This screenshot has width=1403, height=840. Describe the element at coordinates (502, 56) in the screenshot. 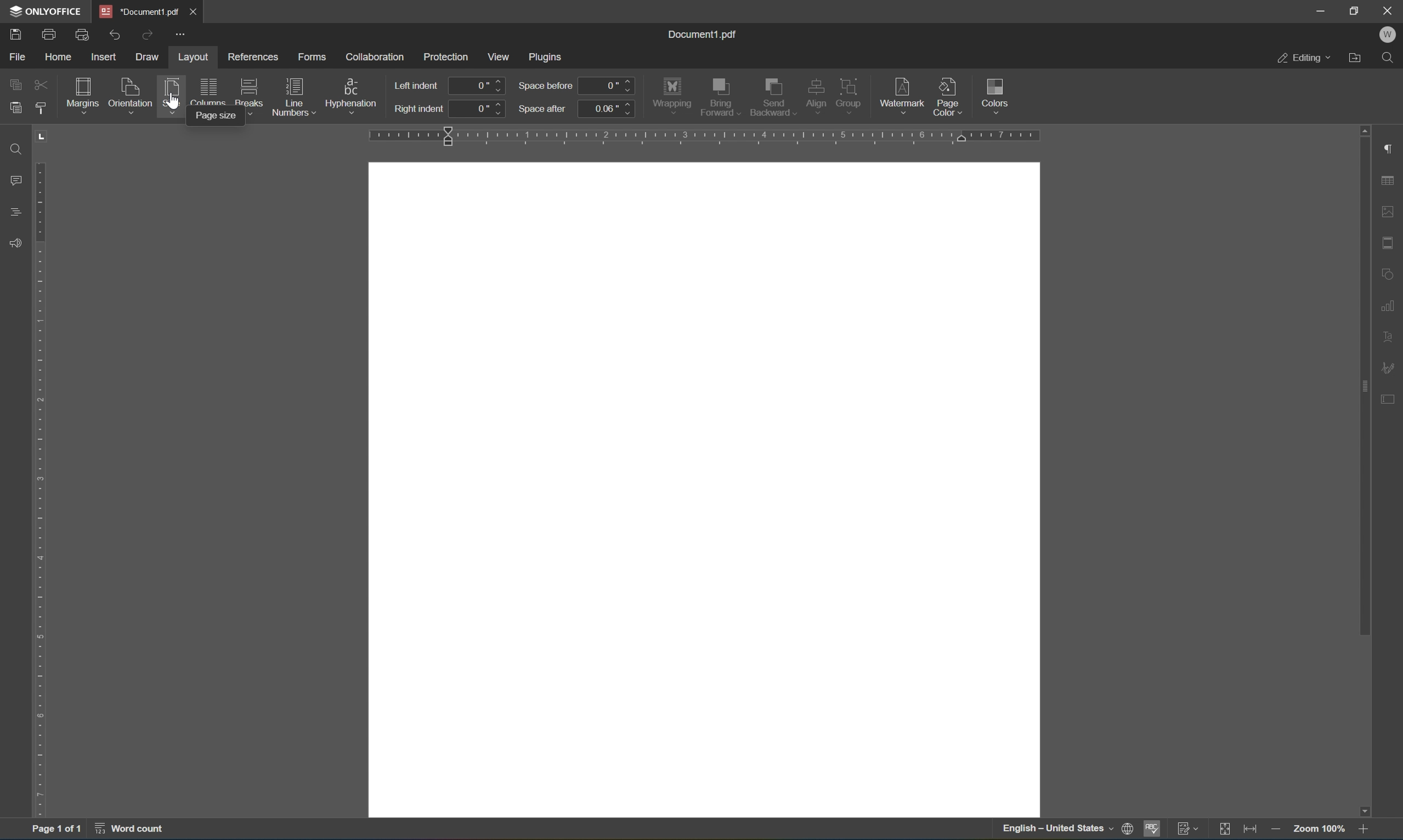

I see `view` at that location.